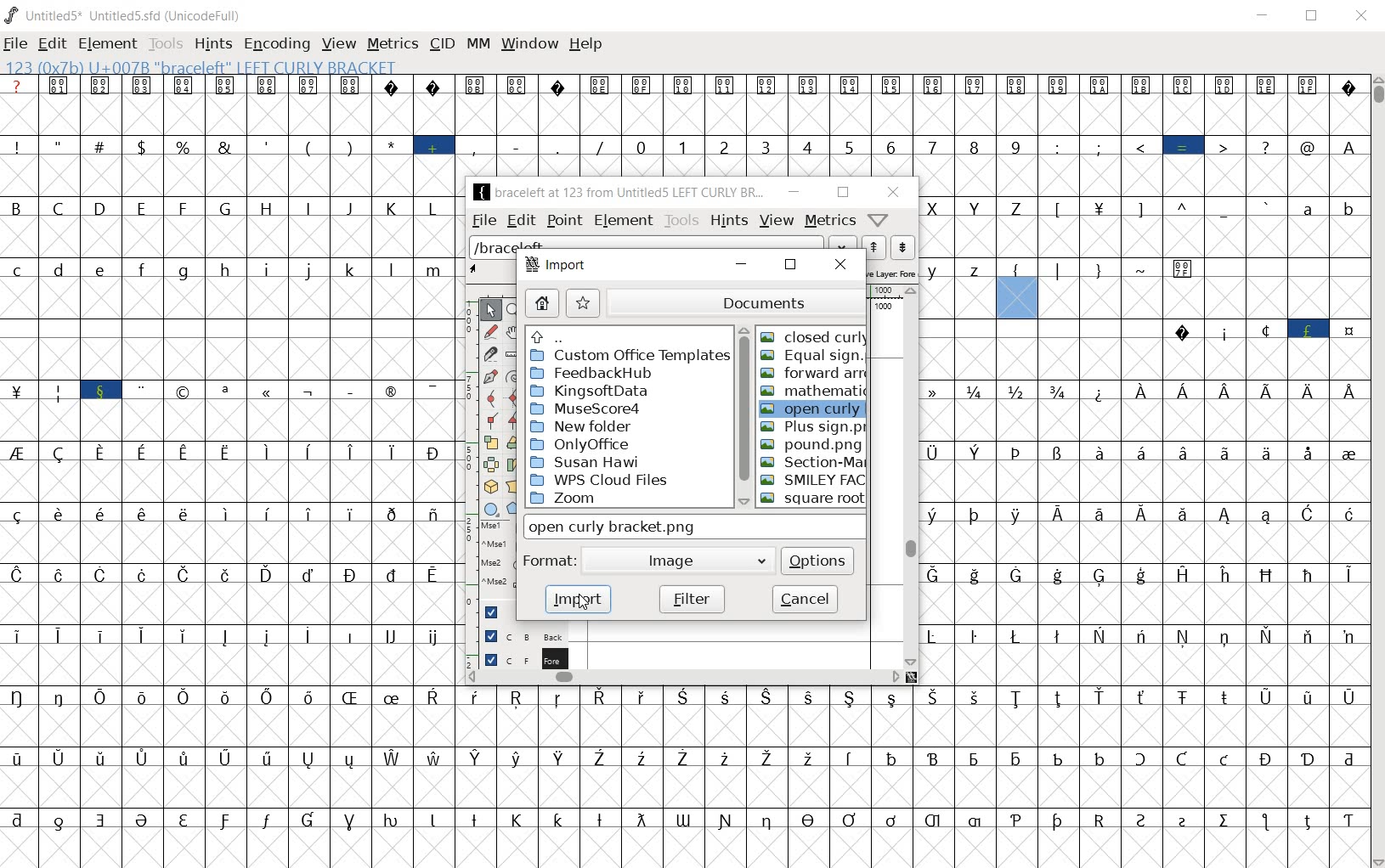 The image size is (1385, 868). What do you see at coordinates (727, 222) in the screenshot?
I see `hints` at bounding box center [727, 222].